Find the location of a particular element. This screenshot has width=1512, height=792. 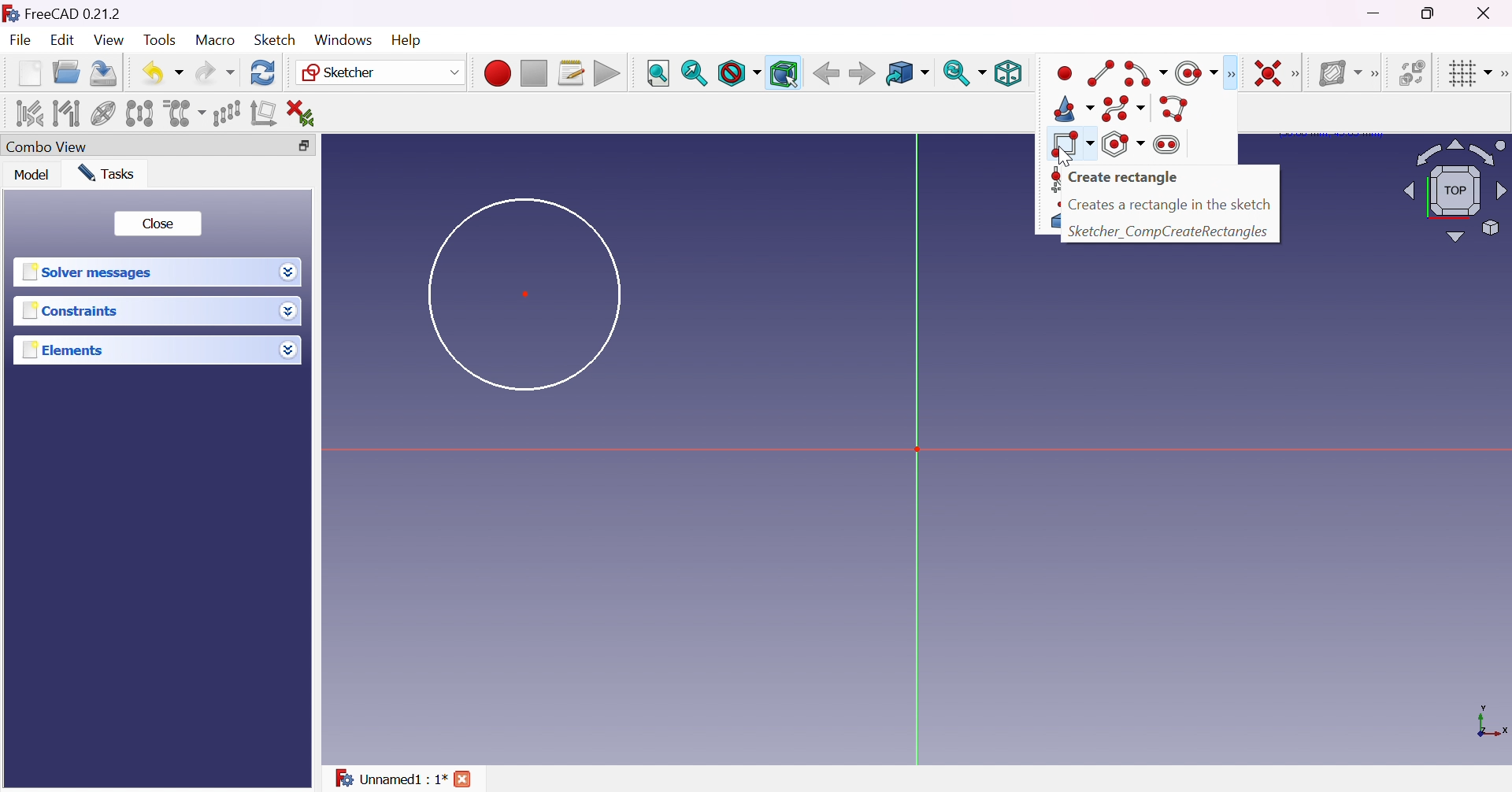

Refresh is located at coordinates (263, 72).